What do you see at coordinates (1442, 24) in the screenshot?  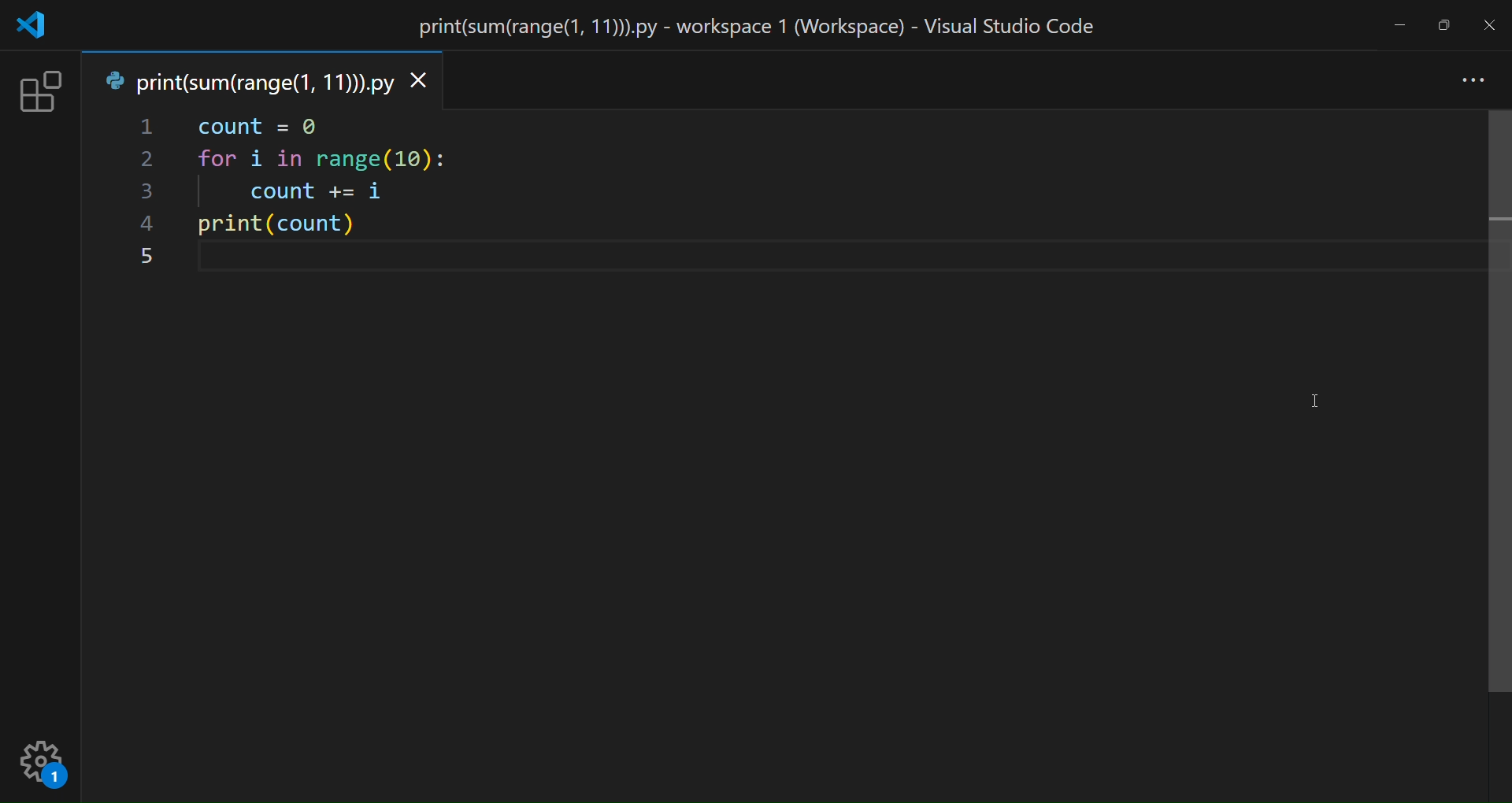 I see `maximize` at bounding box center [1442, 24].